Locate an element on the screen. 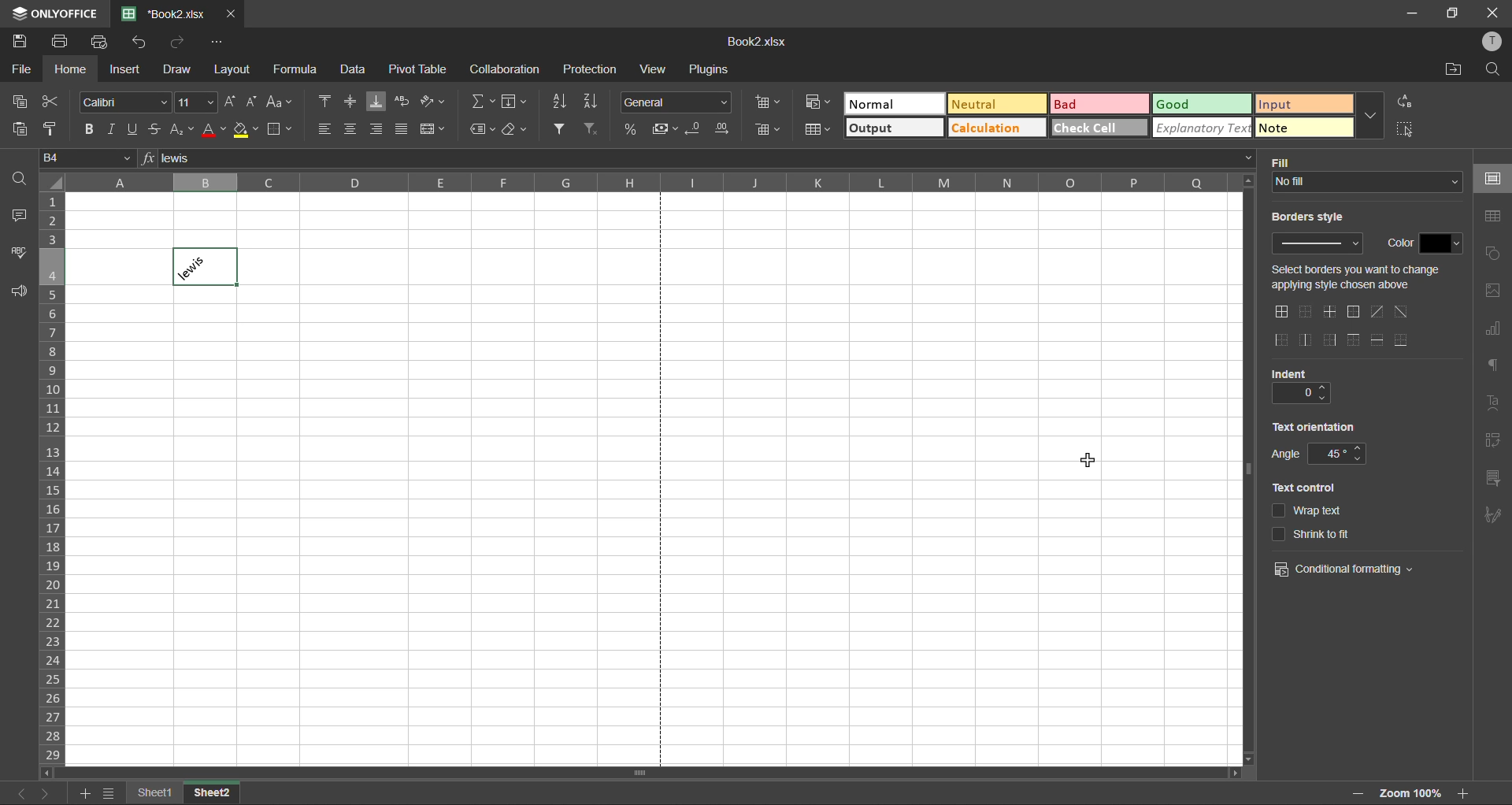  sort ascending is located at coordinates (561, 99).